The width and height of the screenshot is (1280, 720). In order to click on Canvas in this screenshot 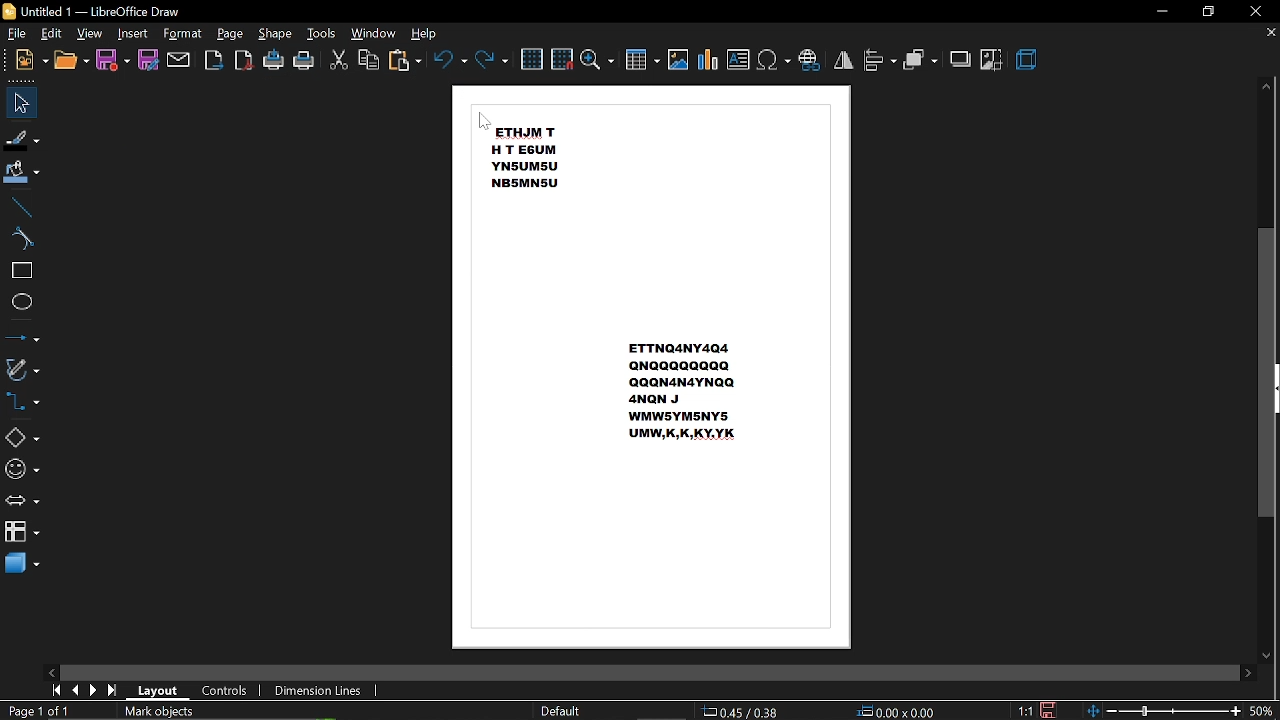, I will do `click(654, 370)`.